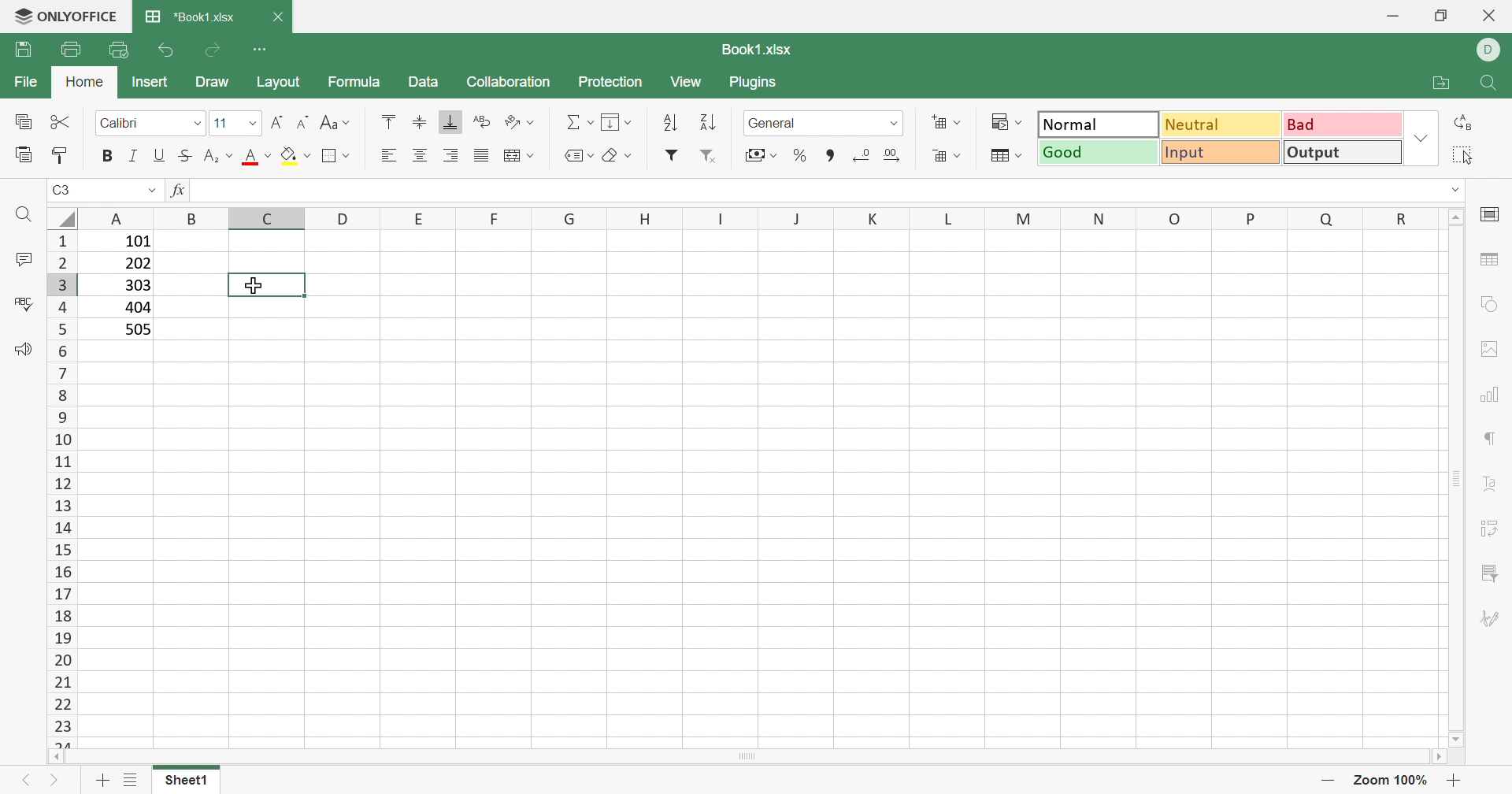  Describe the element at coordinates (616, 153) in the screenshot. I see `Clear` at that location.